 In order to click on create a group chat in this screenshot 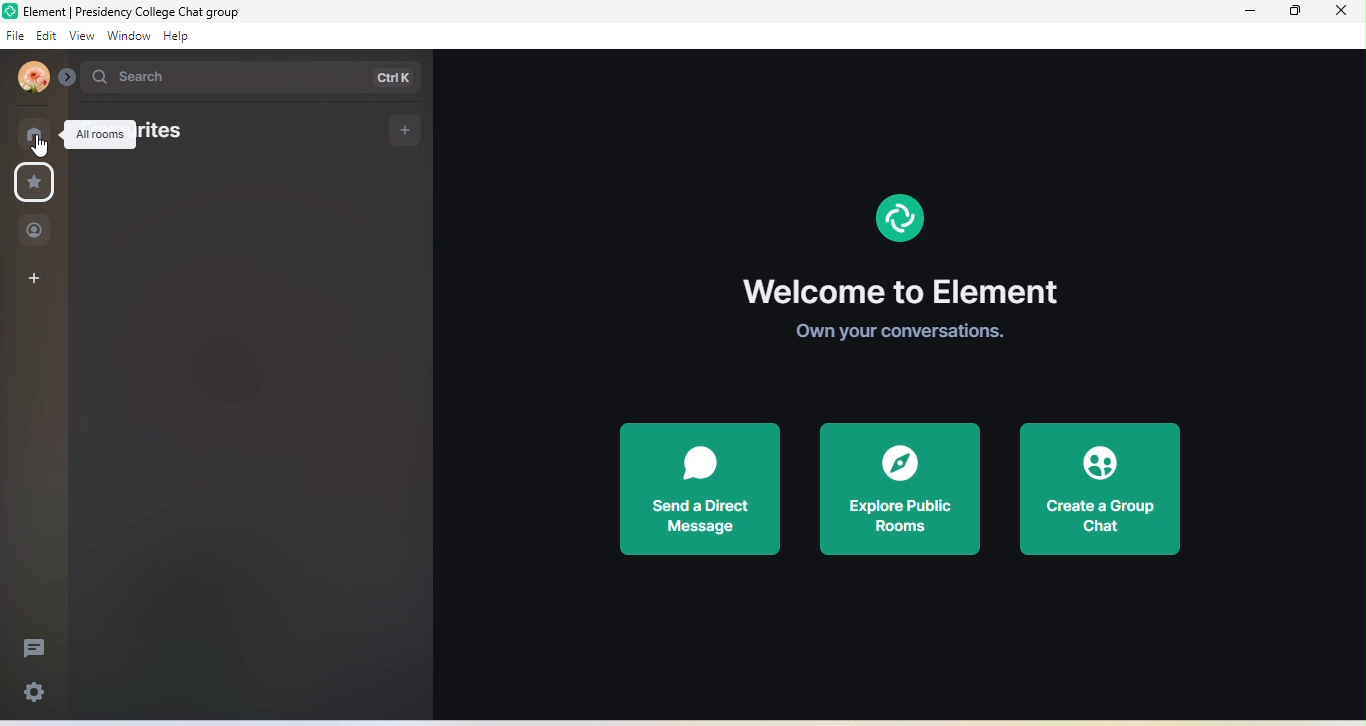, I will do `click(1097, 491)`.